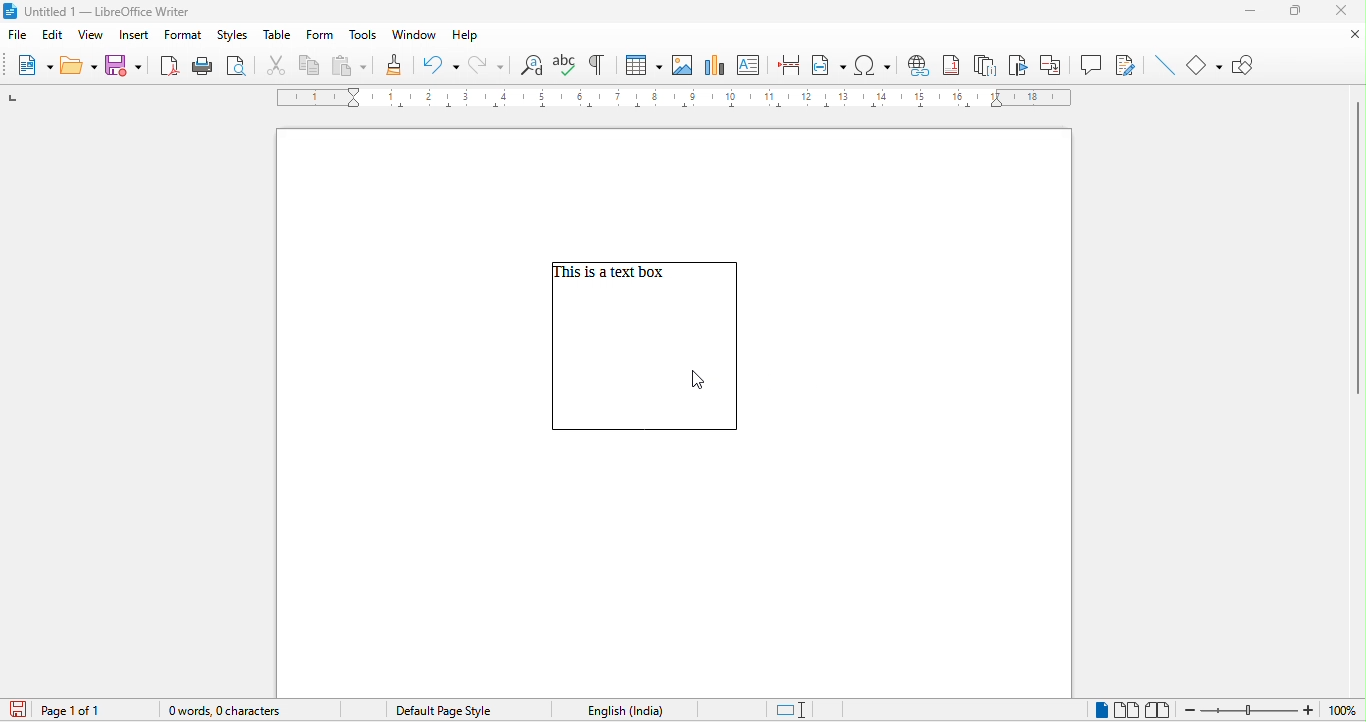 This screenshot has height=722, width=1366. What do you see at coordinates (246, 713) in the screenshot?
I see `0 words, o character` at bounding box center [246, 713].